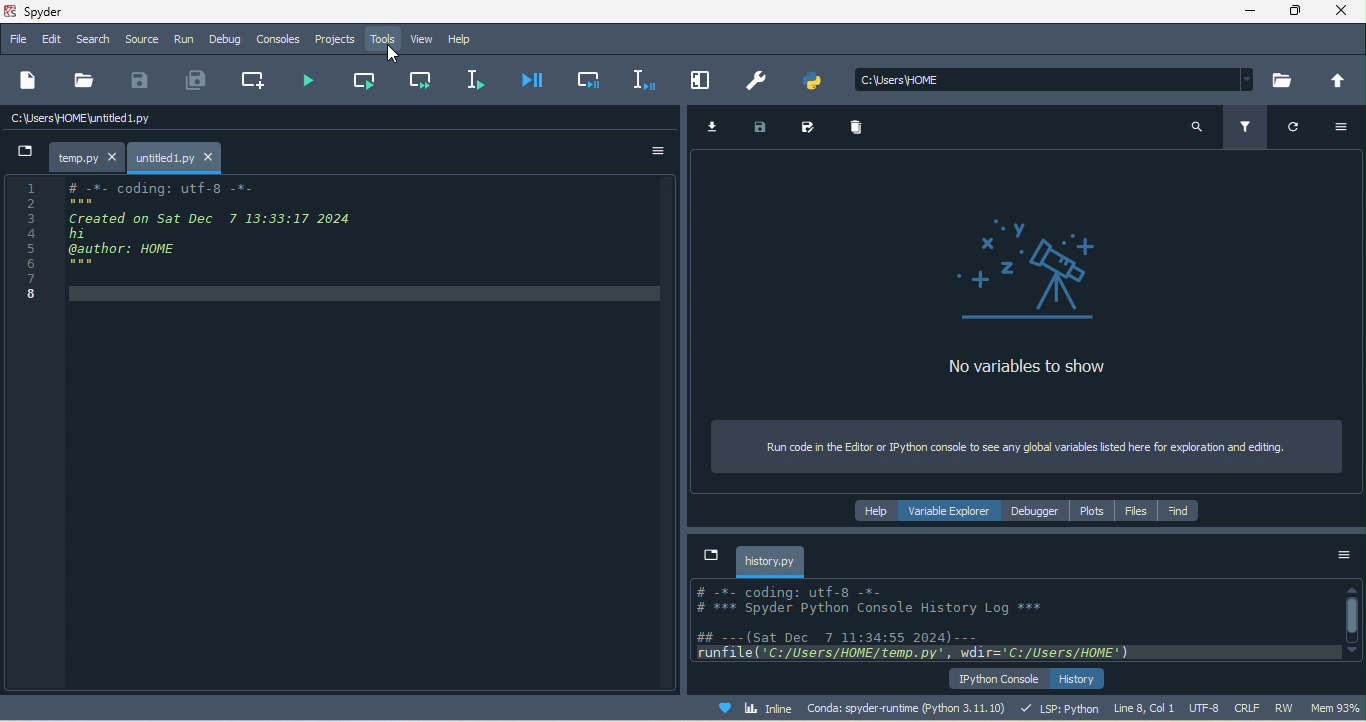 This screenshot has height=722, width=1366. What do you see at coordinates (1010, 619) in the screenshot?
I see `ipython console pane text` at bounding box center [1010, 619].